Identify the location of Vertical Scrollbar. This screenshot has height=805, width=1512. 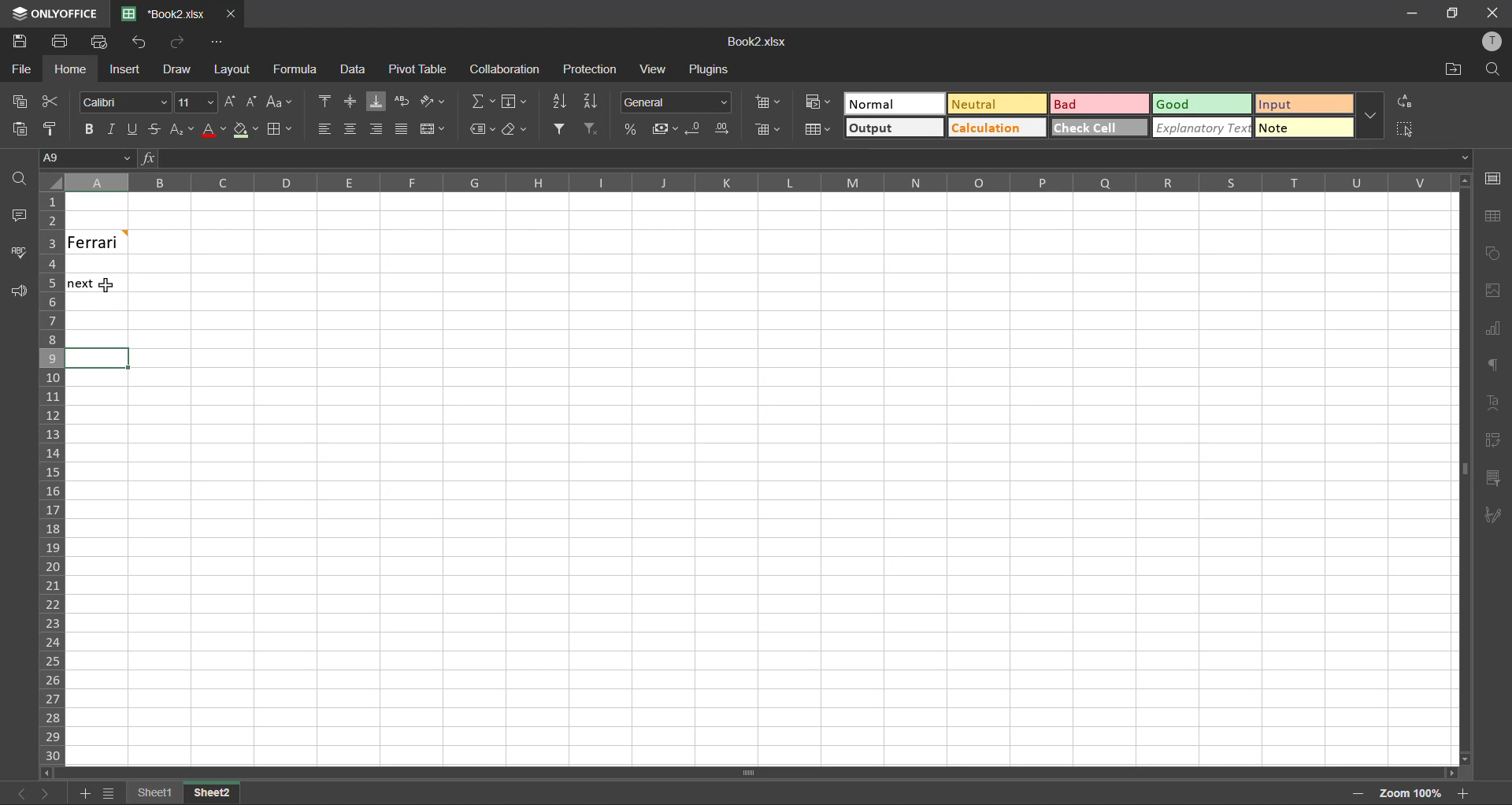
(751, 774).